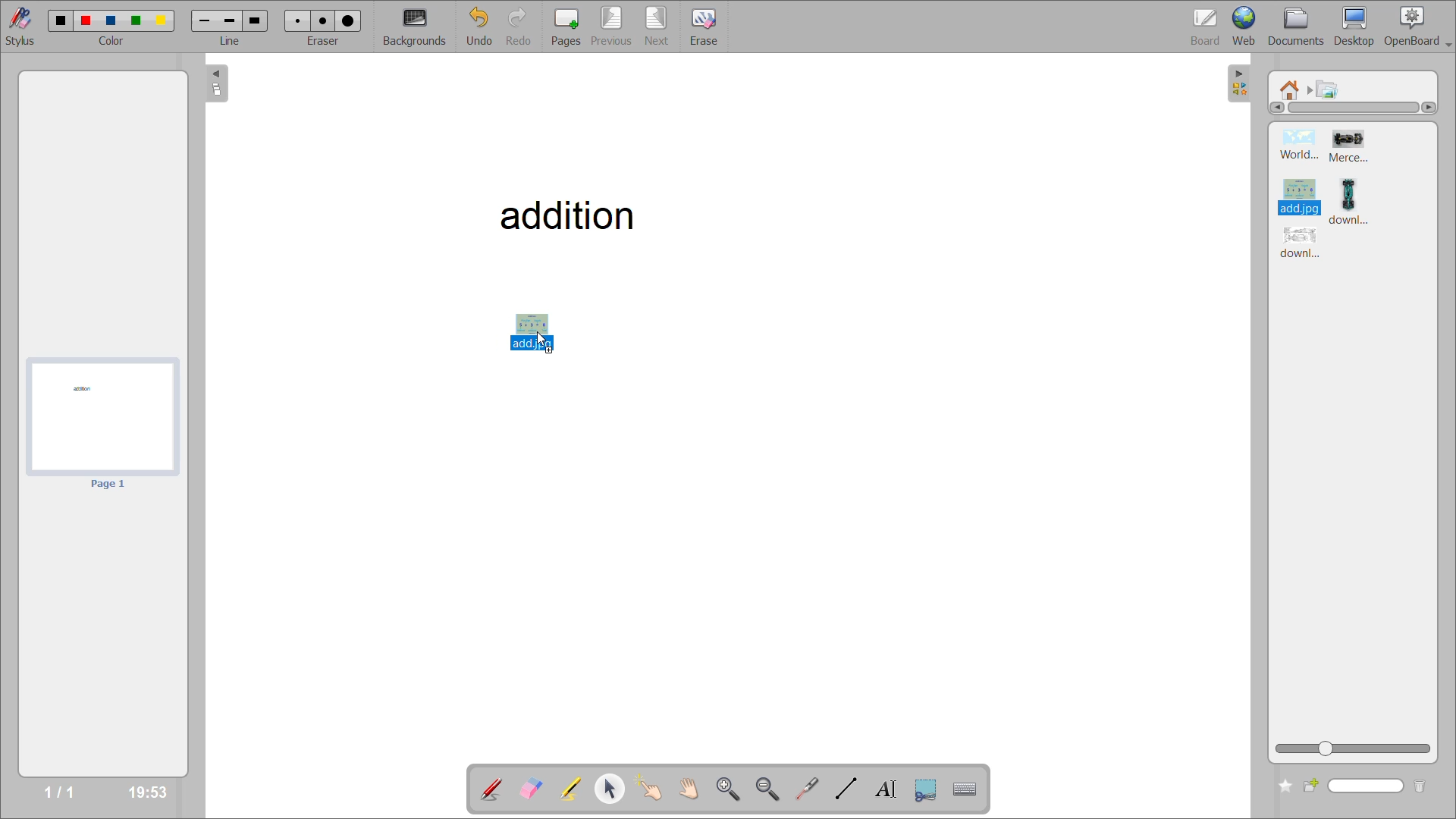  I want to click on color 1, so click(63, 21).